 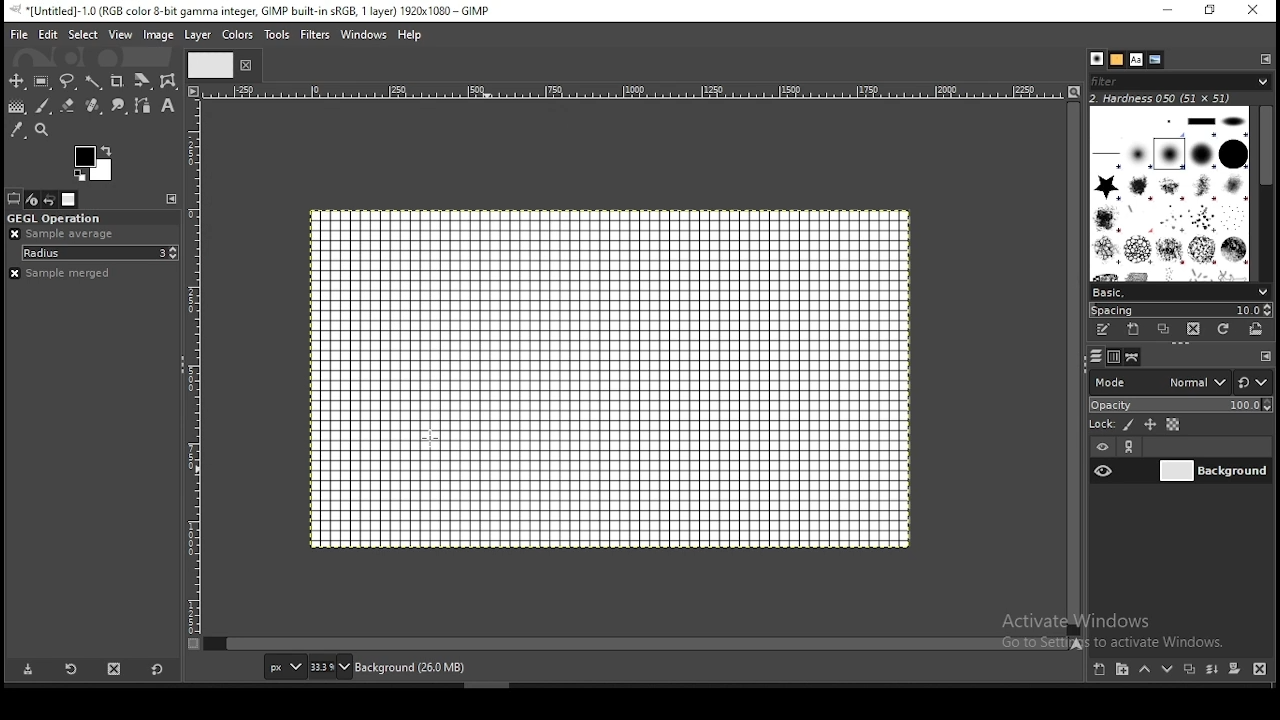 I want to click on move layer on step up, so click(x=1148, y=670).